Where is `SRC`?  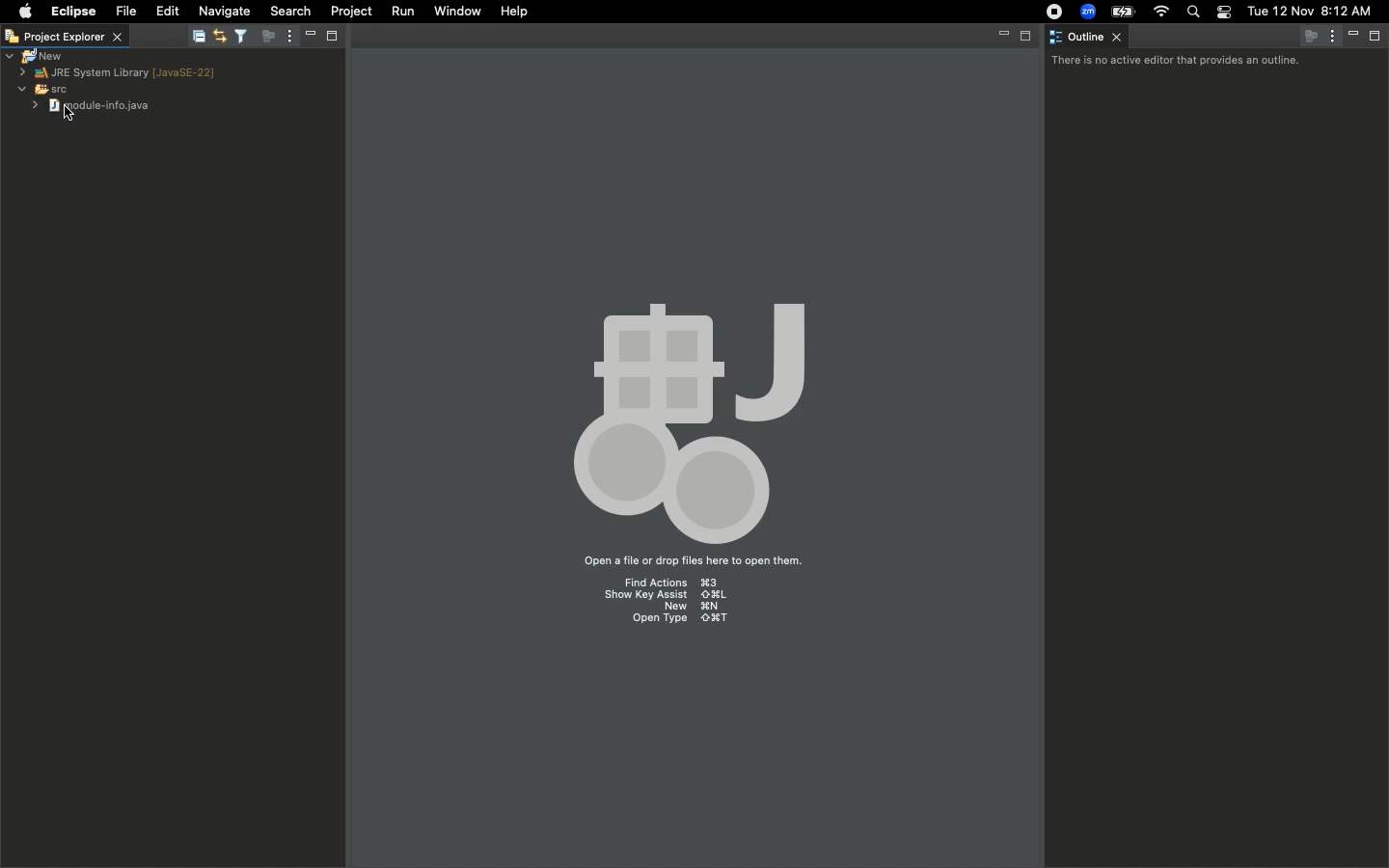 SRC is located at coordinates (45, 93).